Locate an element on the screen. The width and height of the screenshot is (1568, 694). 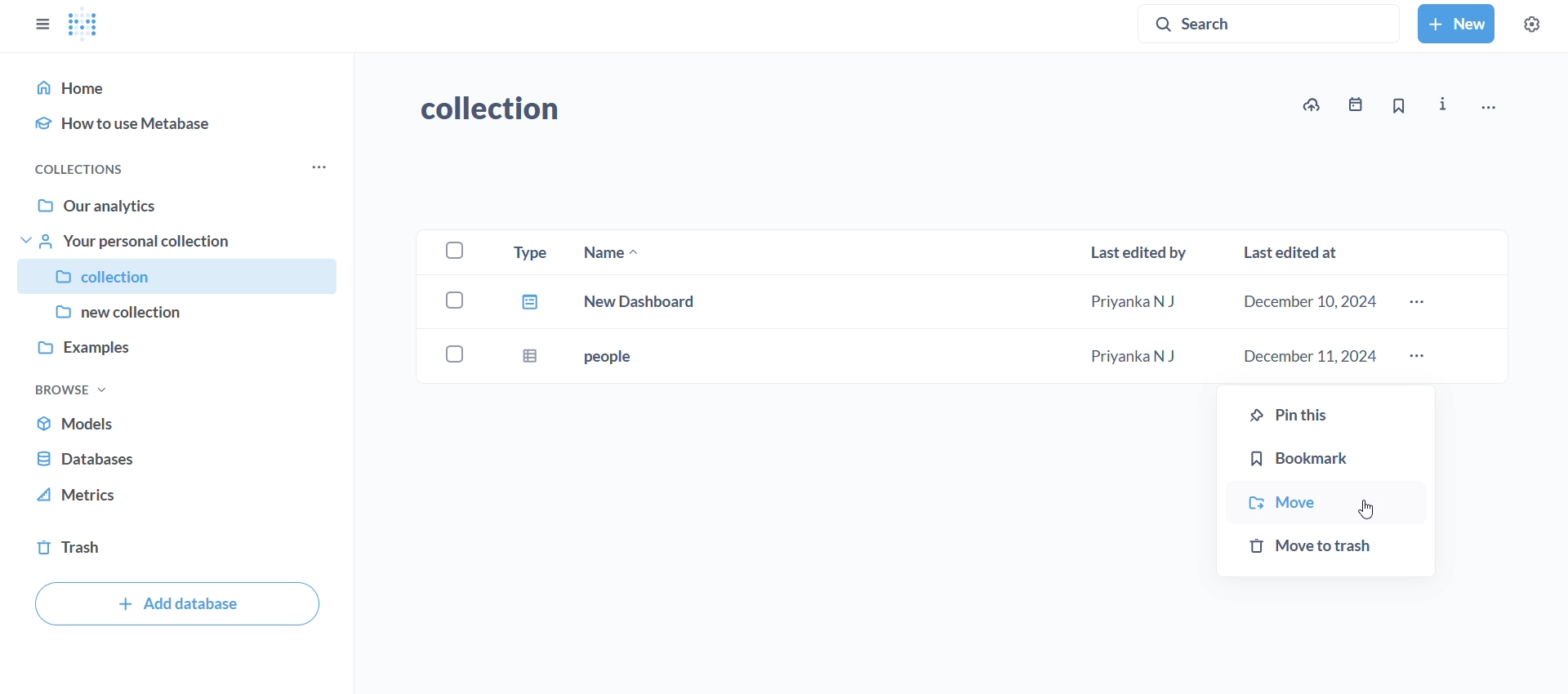
close sidebar is located at coordinates (41, 24).